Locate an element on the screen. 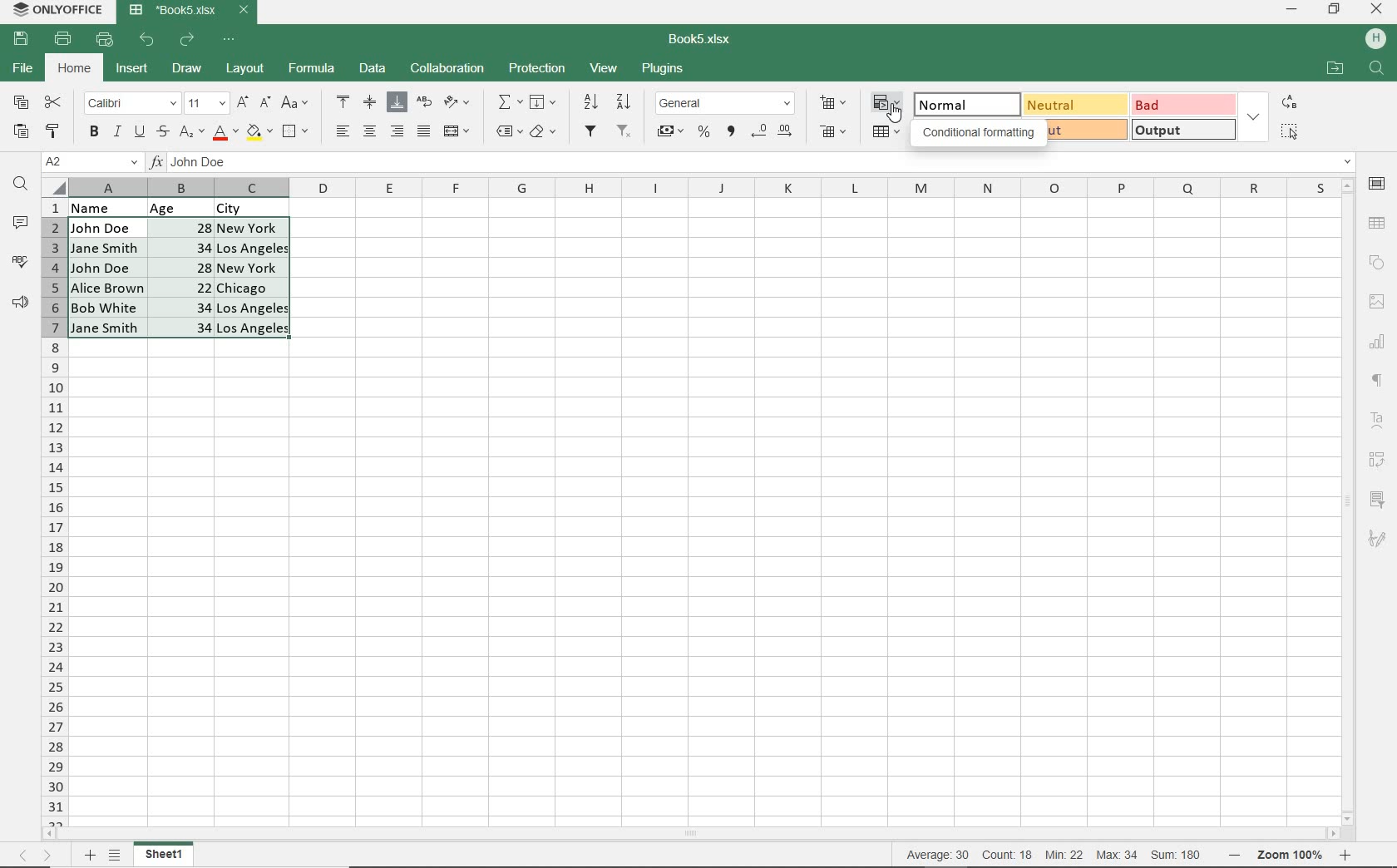 The width and height of the screenshot is (1397, 868). FILTER is located at coordinates (592, 131).